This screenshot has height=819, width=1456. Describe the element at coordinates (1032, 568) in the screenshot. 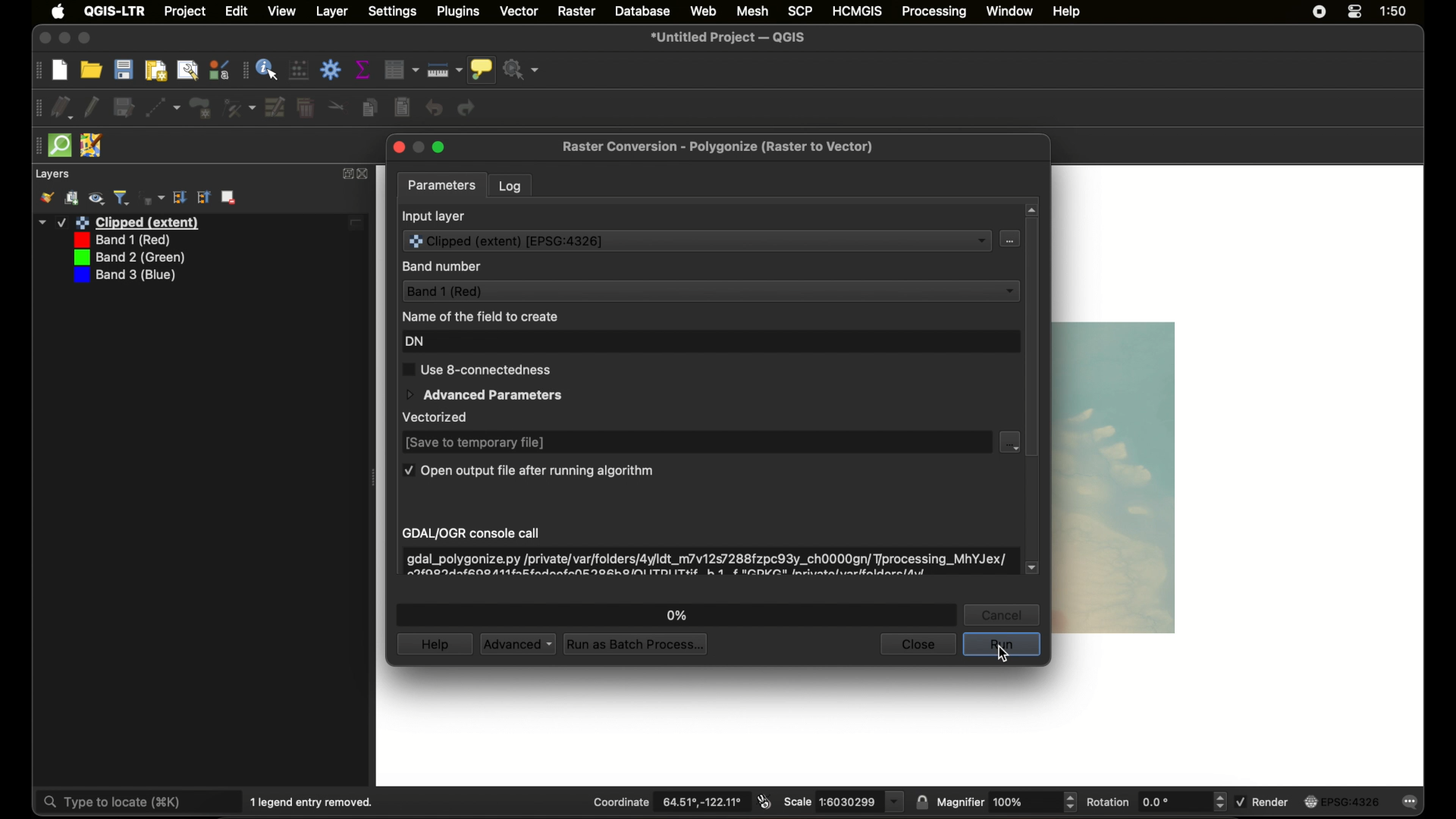

I see `scroll down arrow` at that location.